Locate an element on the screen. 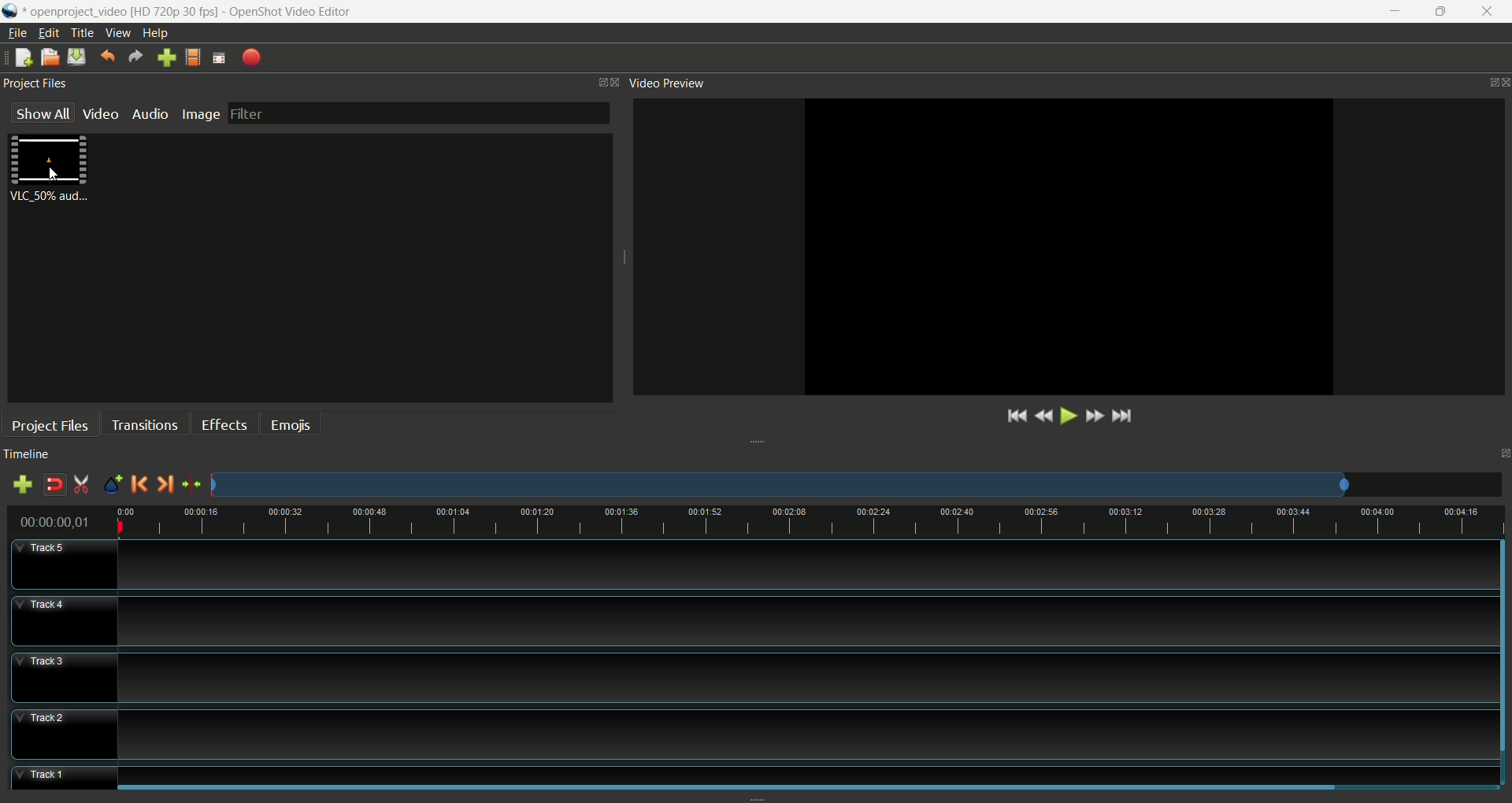 The height and width of the screenshot is (803, 1512). close is located at coordinates (1484, 11).